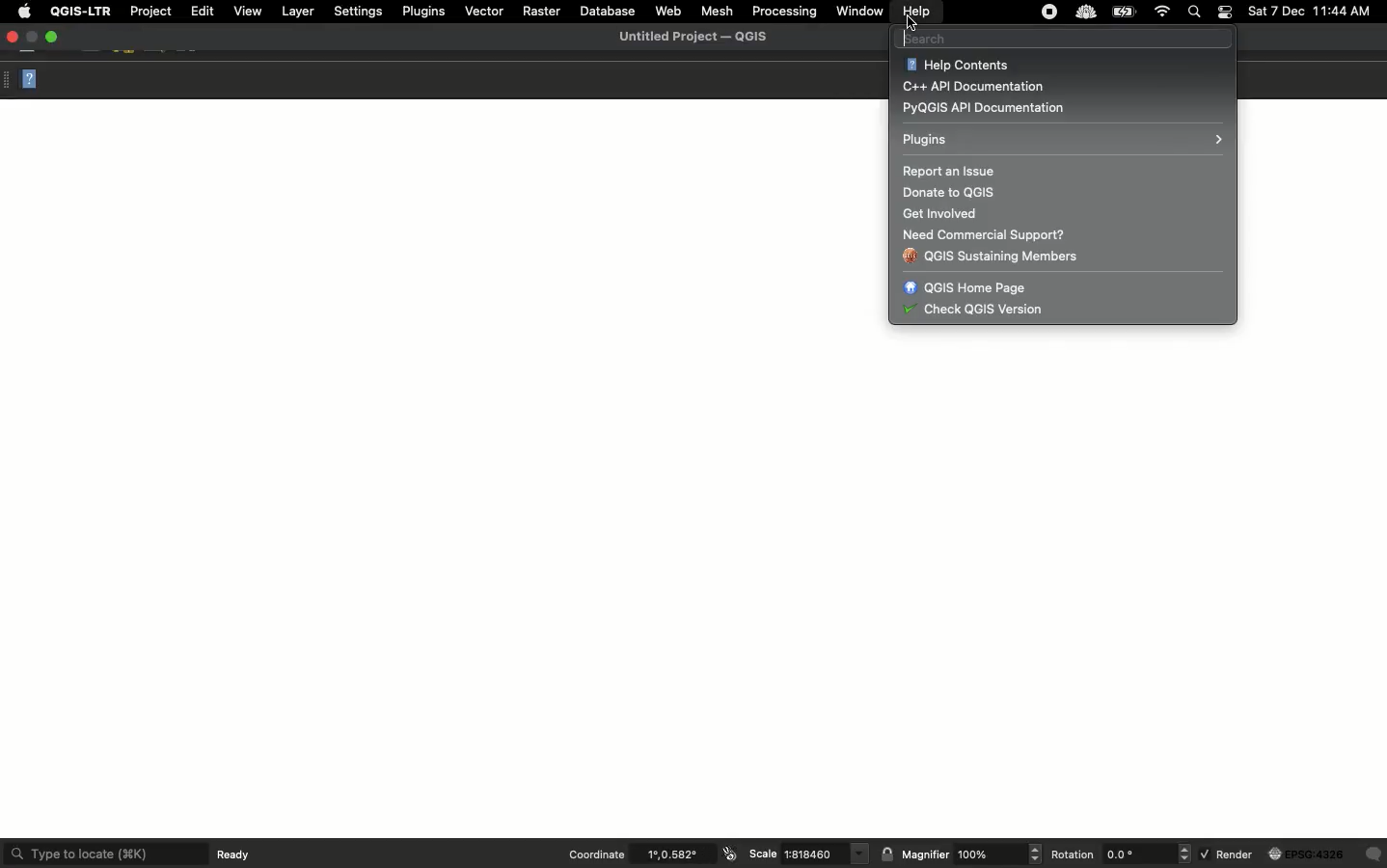  What do you see at coordinates (990, 258) in the screenshot?
I see `QGIS` at bounding box center [990, 258].